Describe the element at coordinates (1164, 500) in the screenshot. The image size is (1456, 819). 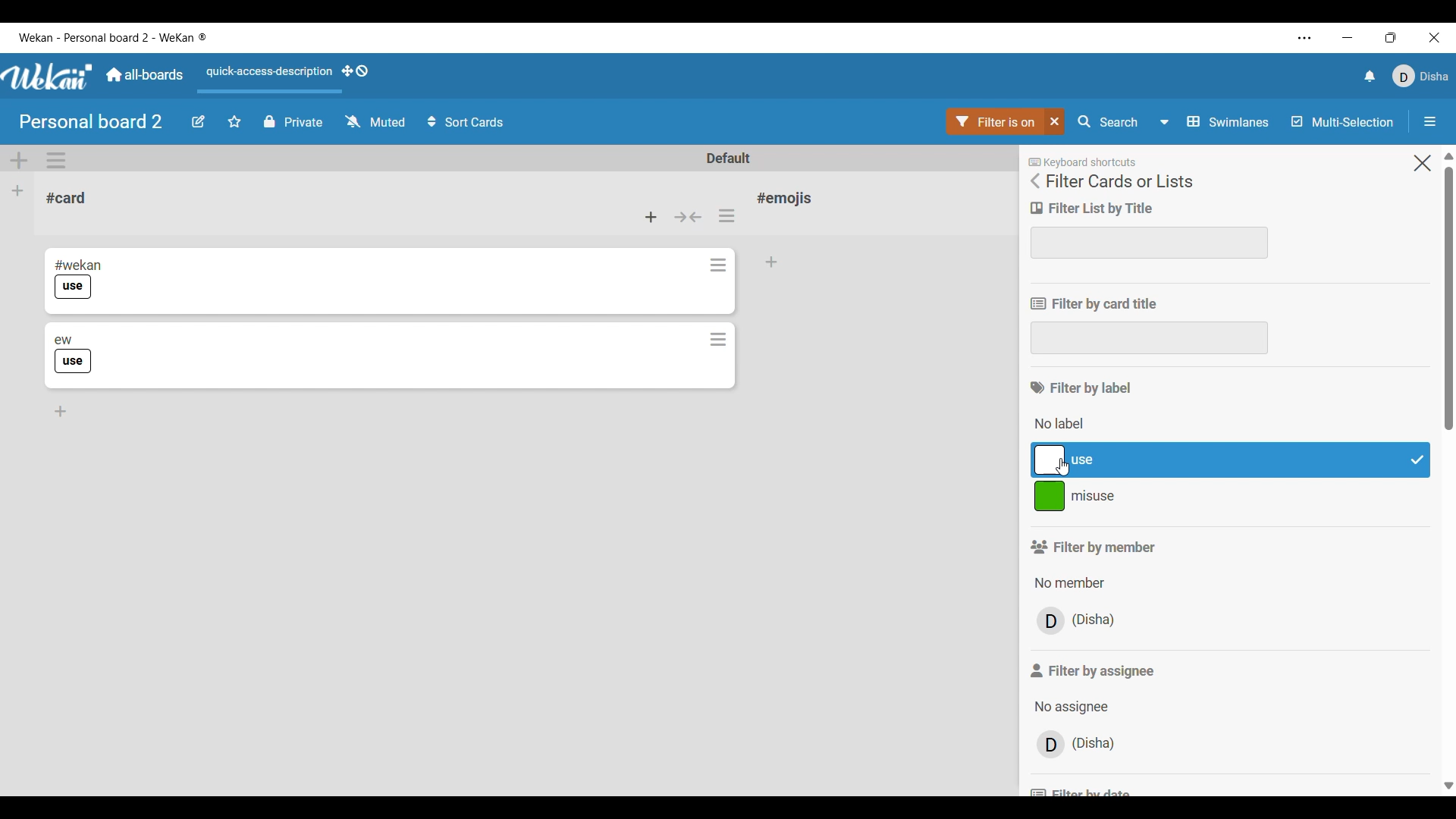
I see `misuse` at that location.